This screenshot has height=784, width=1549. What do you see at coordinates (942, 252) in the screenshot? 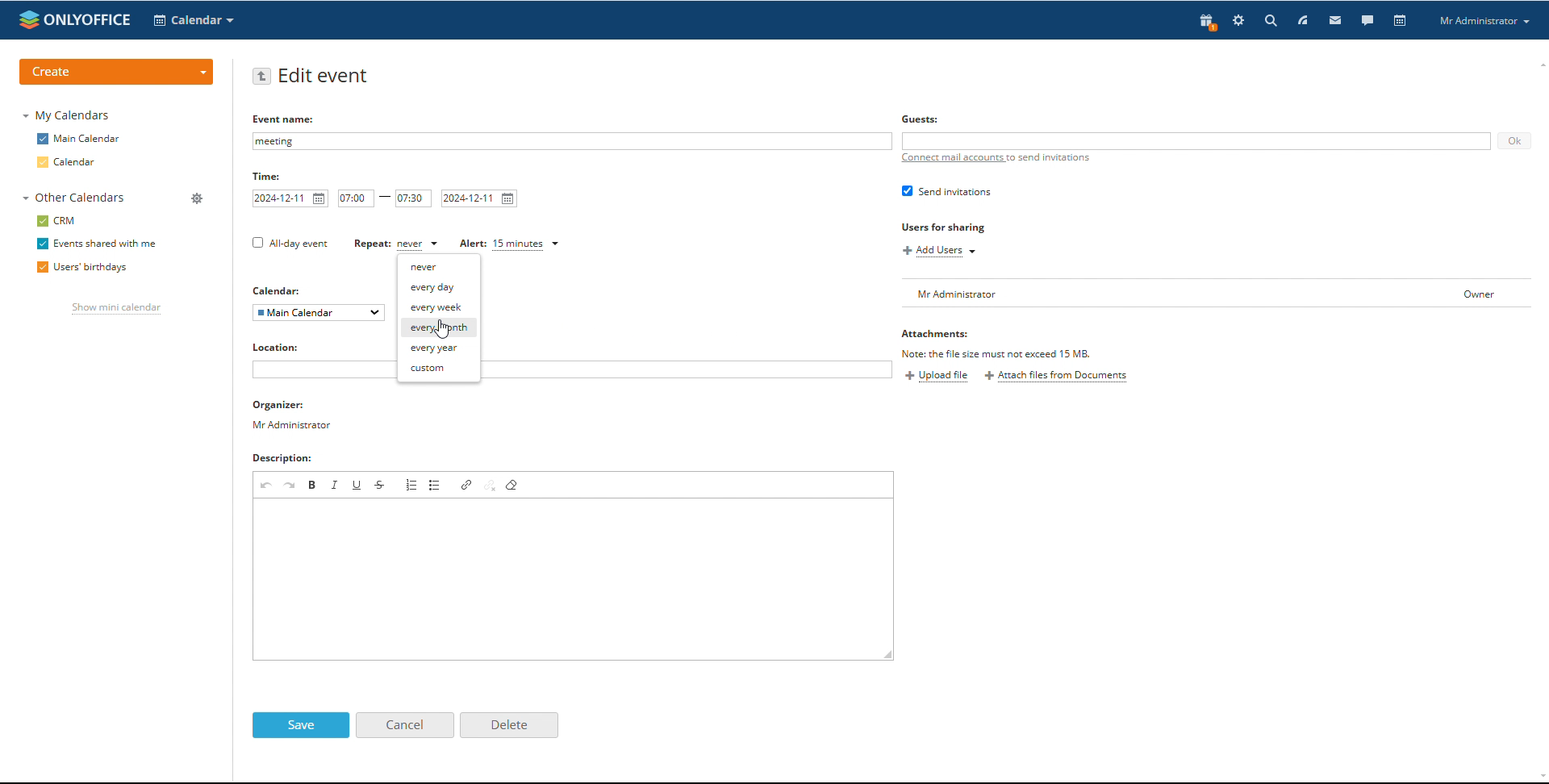
I see `add users` at bounding box center [942, 252].